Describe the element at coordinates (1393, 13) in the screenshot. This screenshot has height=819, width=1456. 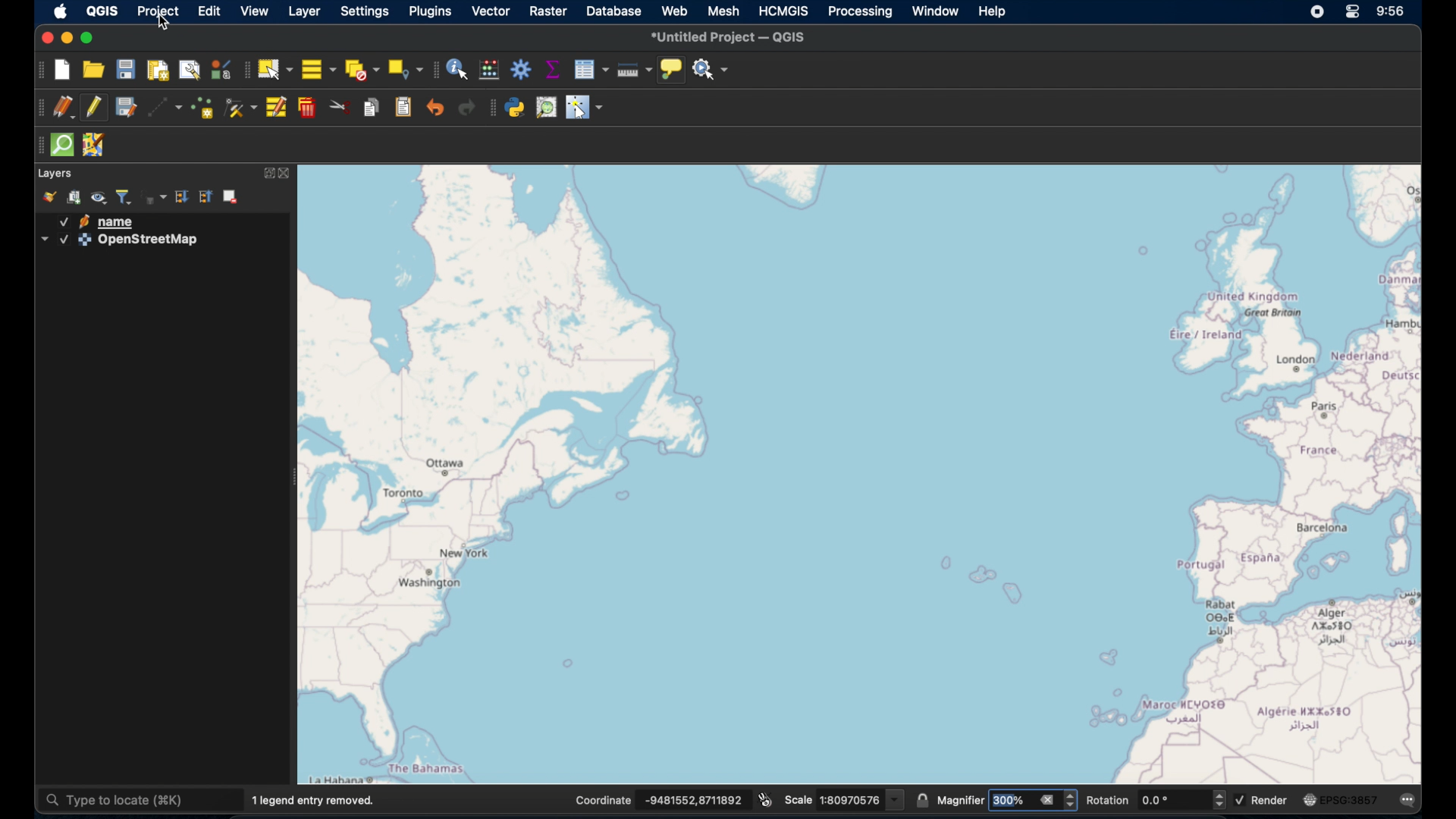
I see `time` at that location.